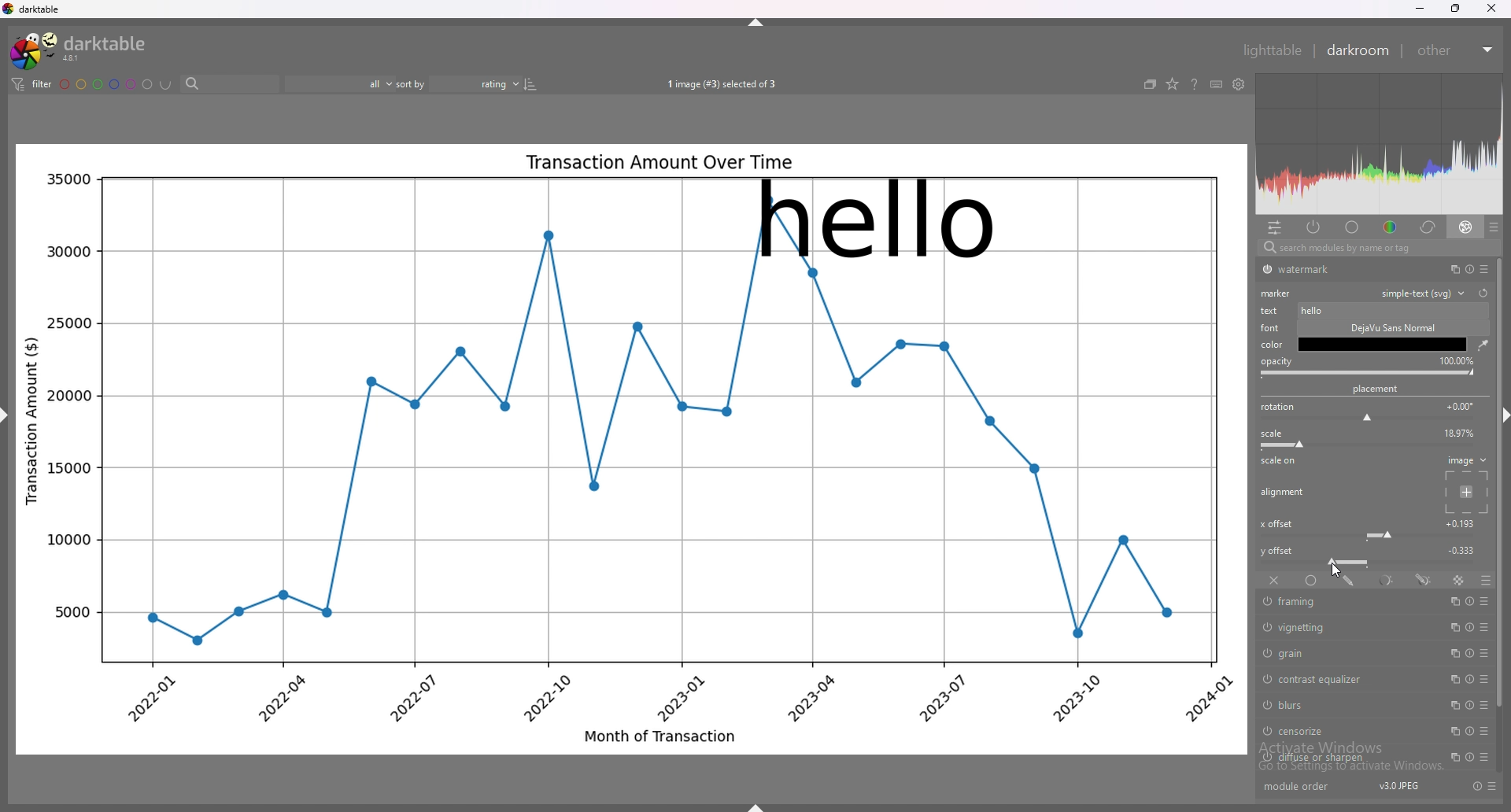 The height and width of the screenshot is (812, 1511). What do you see at coordinates (1265, 733) in the screenshot?
I see `switch off` at bounding box center [1265, 733].